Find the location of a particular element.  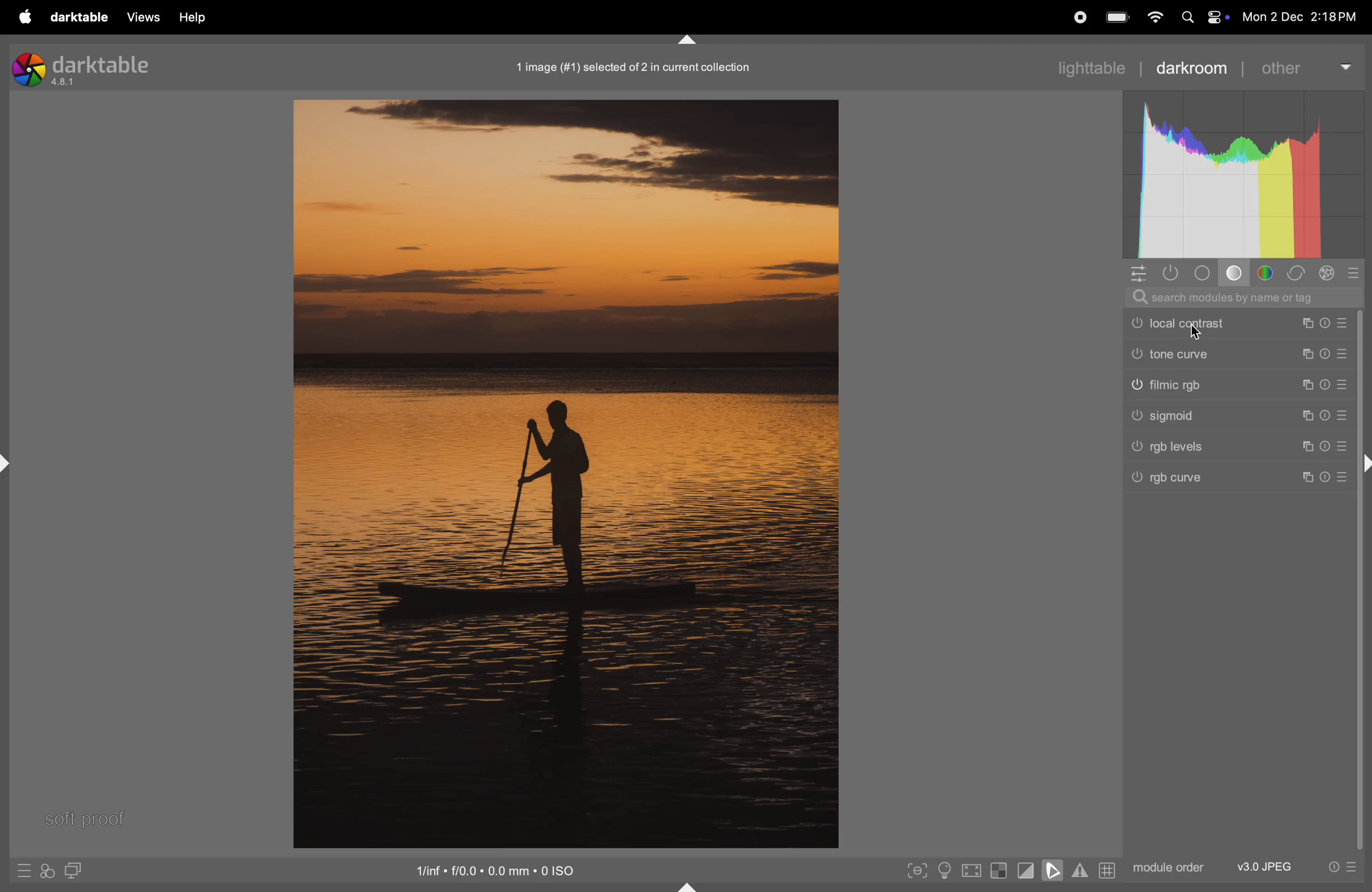

toggle high quality processing is located at coordinates (969, 870).